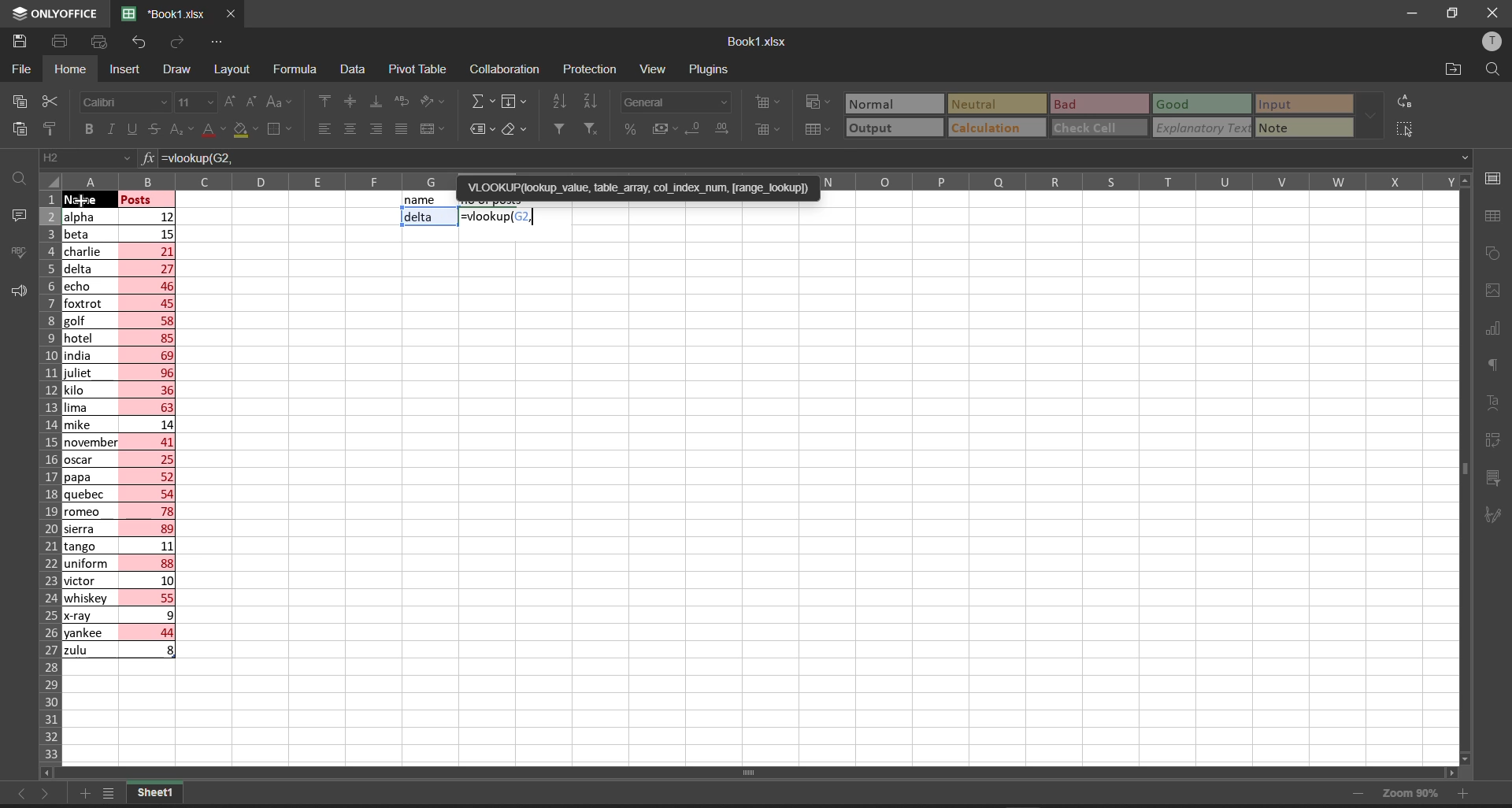  What do you see at coordinates (124, 70) in the screenshot?
I see `insert` at bounding box center [124, 70].